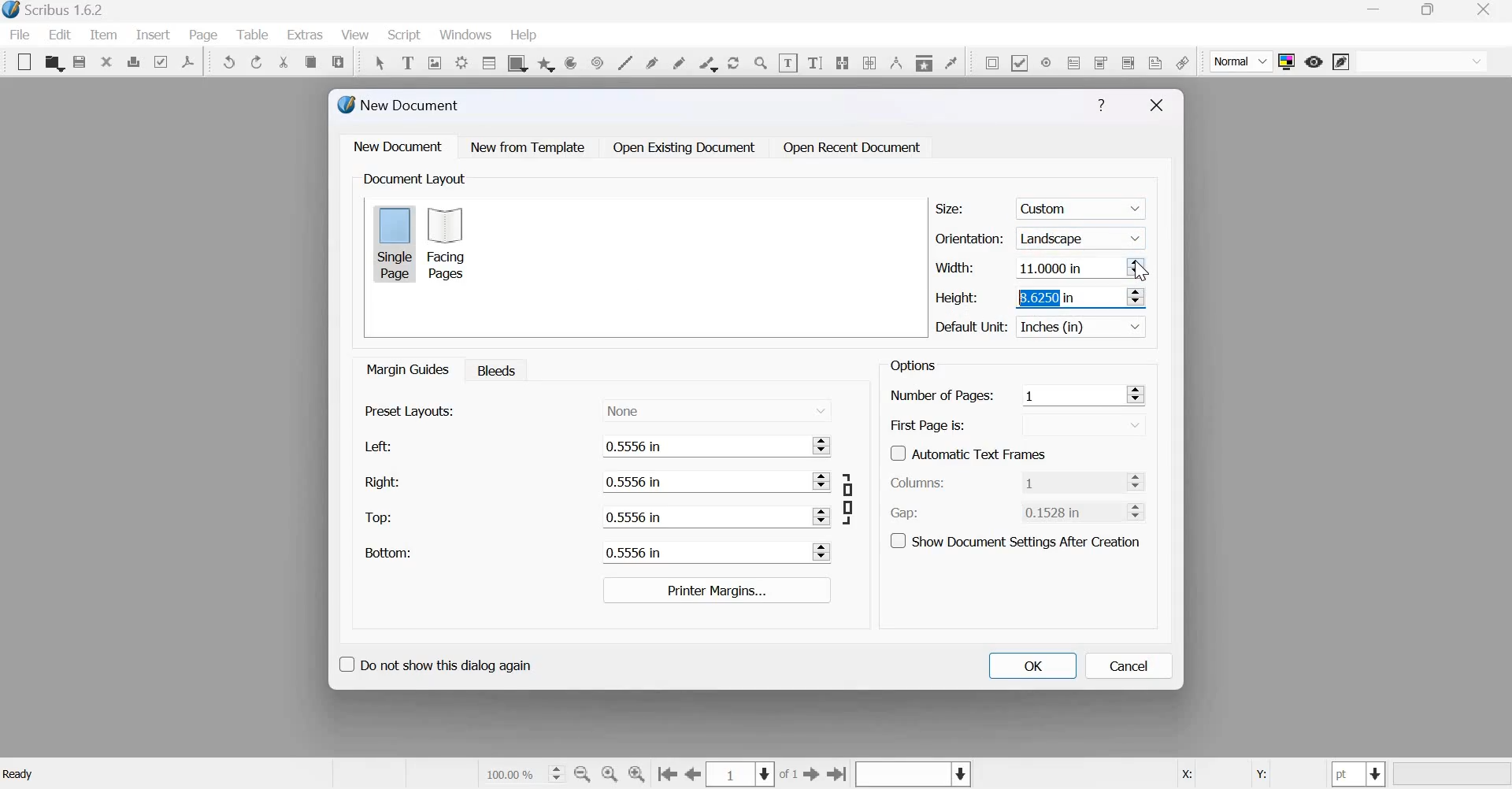 Image resolution: width=1512 pixels, height=789 pixels. What do you see at coordinates (1341, 63) in the screenshot?
I see `edit in preview mode` at bounding box center [1341, 63].